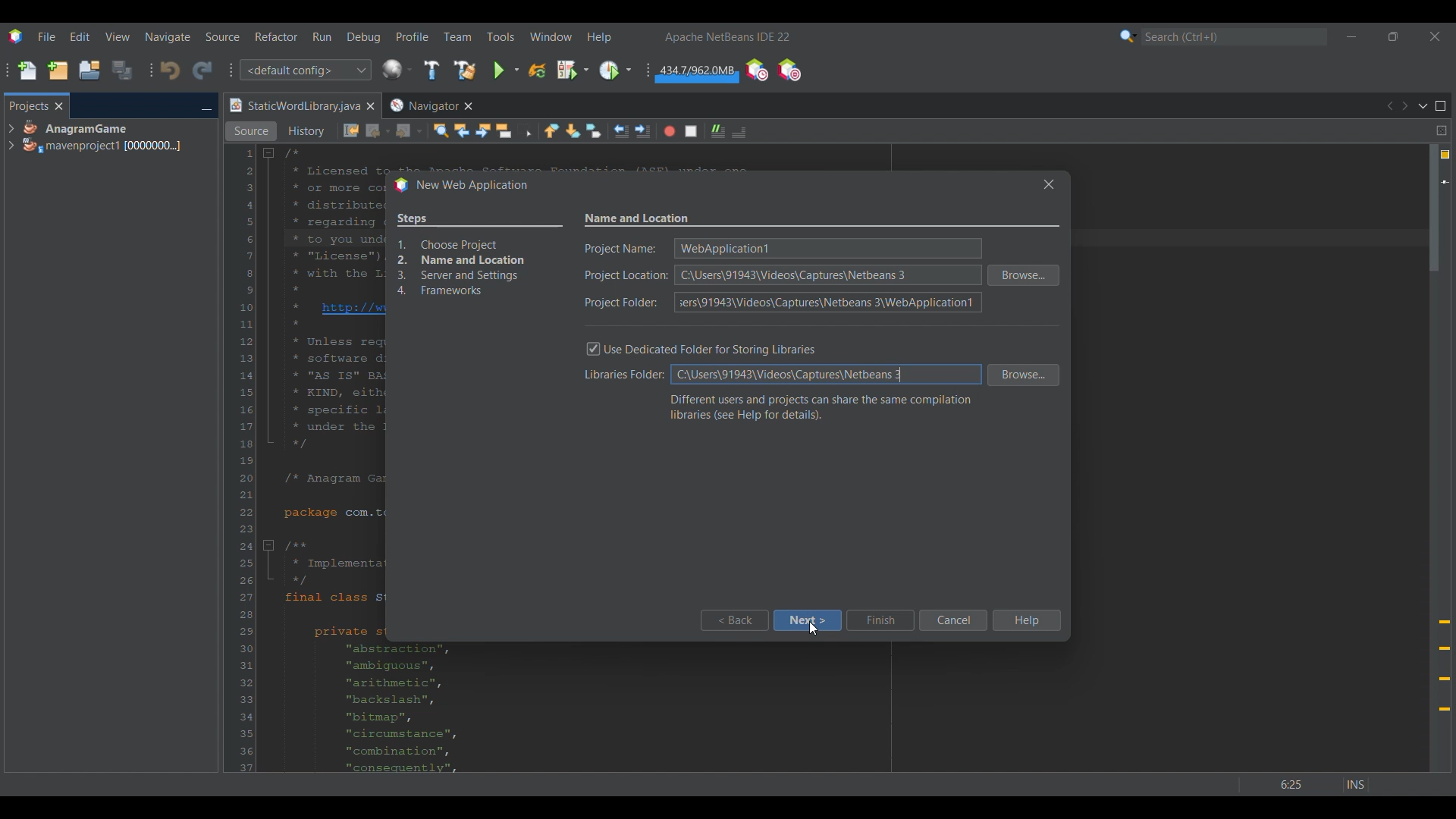 The image size is (1456, 819). I want to click on New project, so click(58, 70).